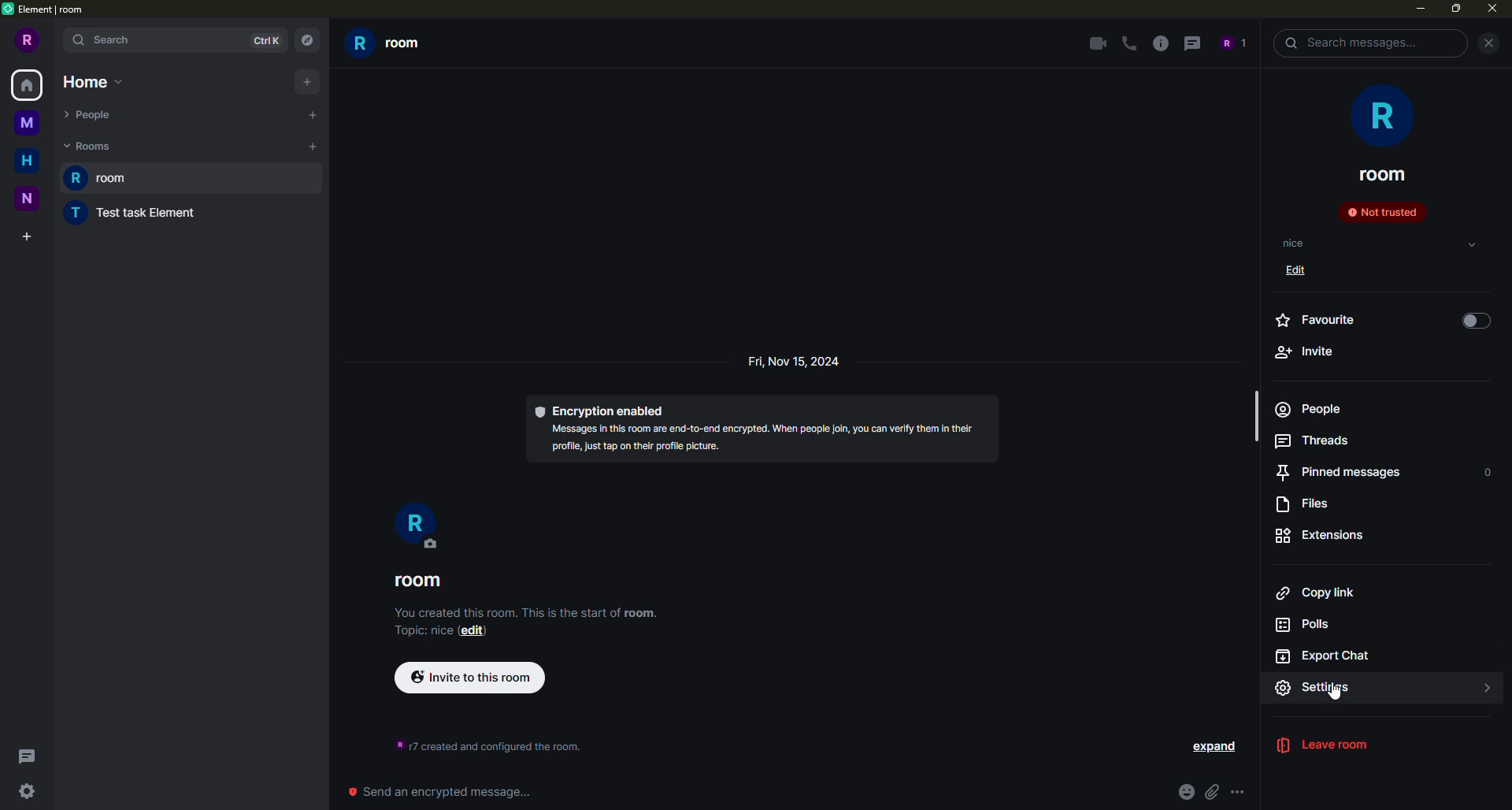  I want to click on text, so click(481, 741).